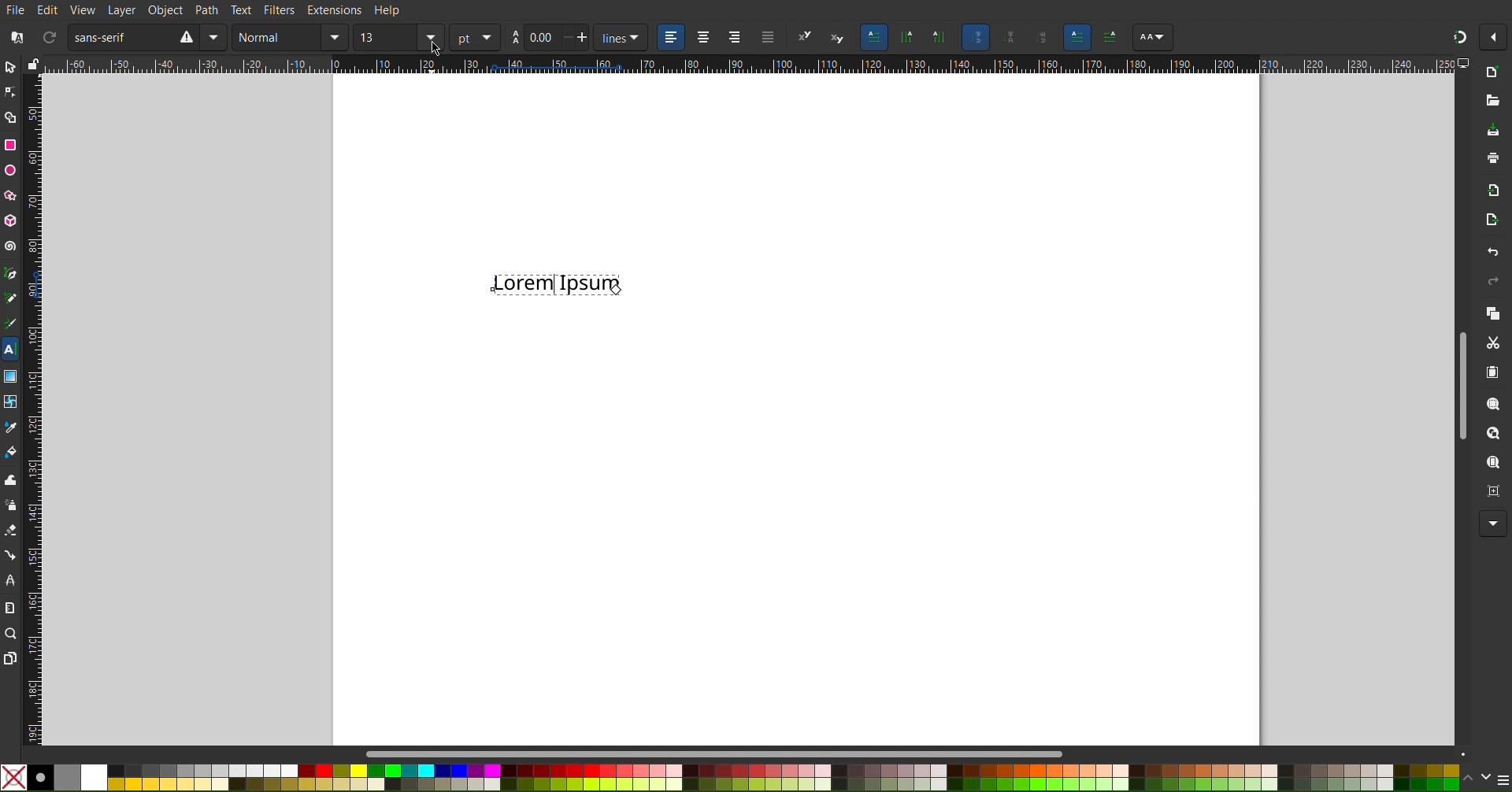 The height and width of the screenshot is (792, 1512). What do you see at coordinates (1489, 220) in the screenshot?
I see `Open Export` at bounding box center [1489, 220].